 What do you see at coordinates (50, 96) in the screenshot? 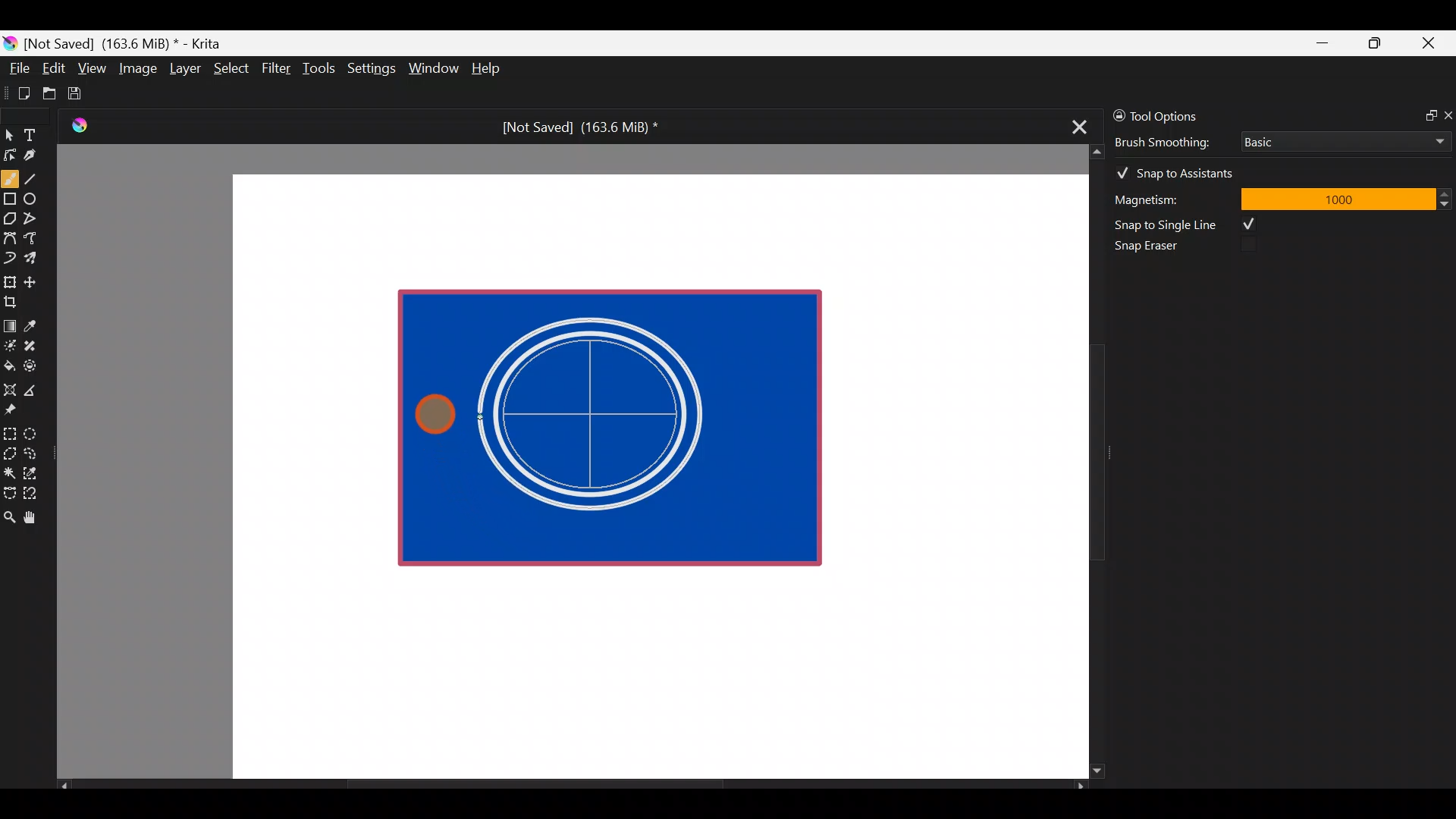
I see `Open an existing document` at bounding box center [50, 96].